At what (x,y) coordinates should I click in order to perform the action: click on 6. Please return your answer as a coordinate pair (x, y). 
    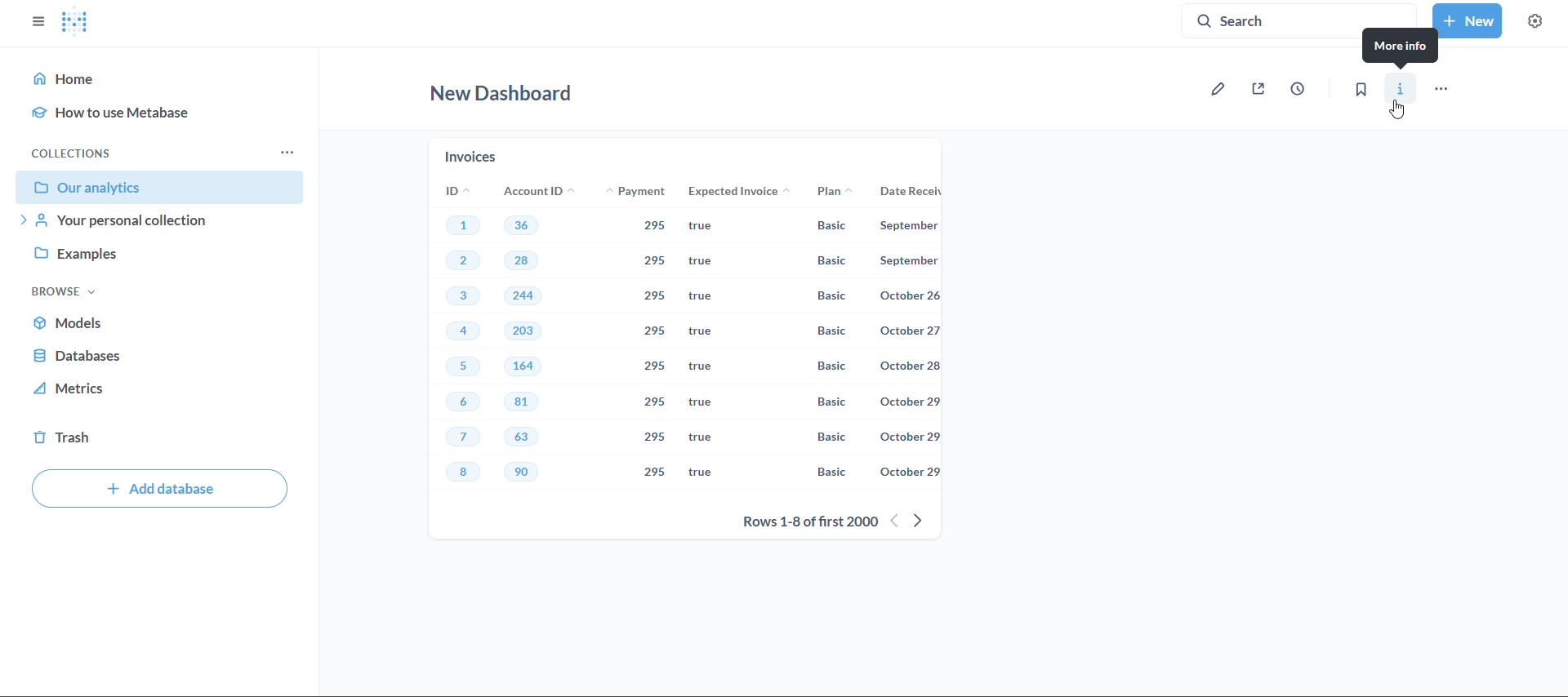
    Looking at the image, I should click on (462, 403).